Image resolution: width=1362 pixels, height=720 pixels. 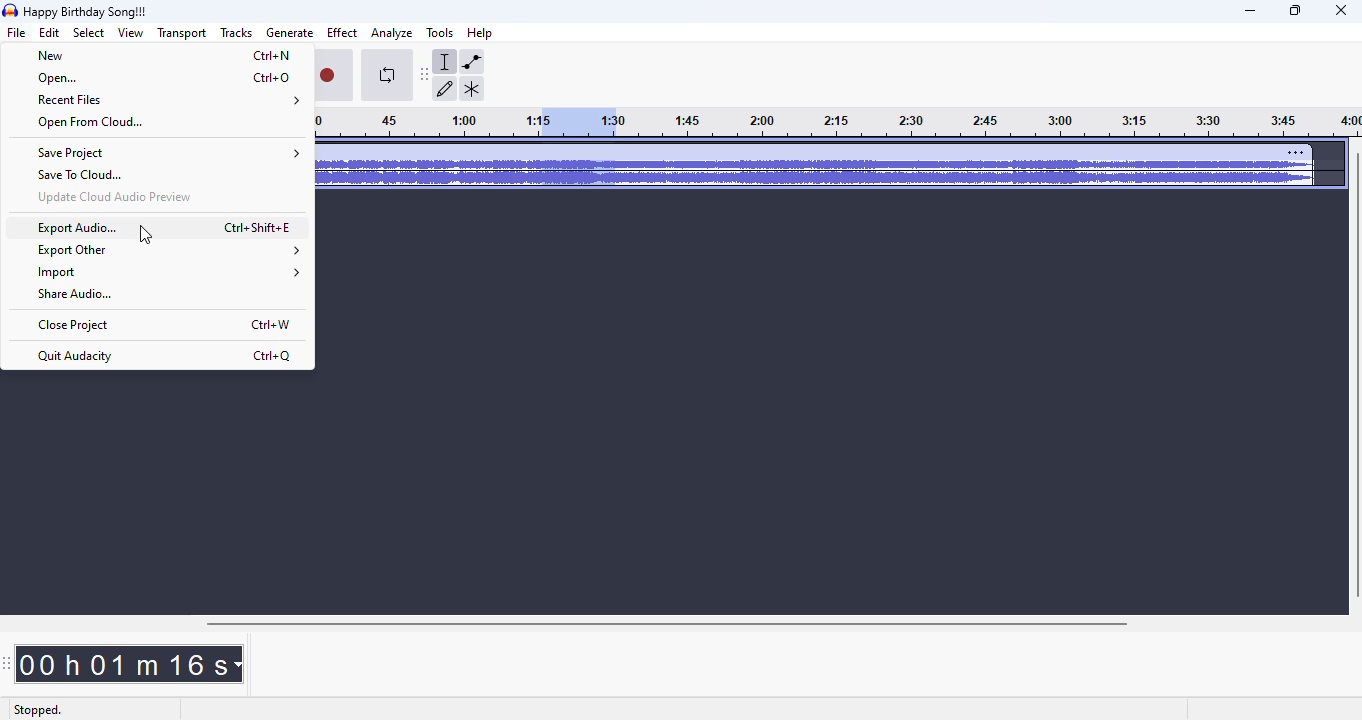 I want to click on open from cloud, so click(x=91, y=122).